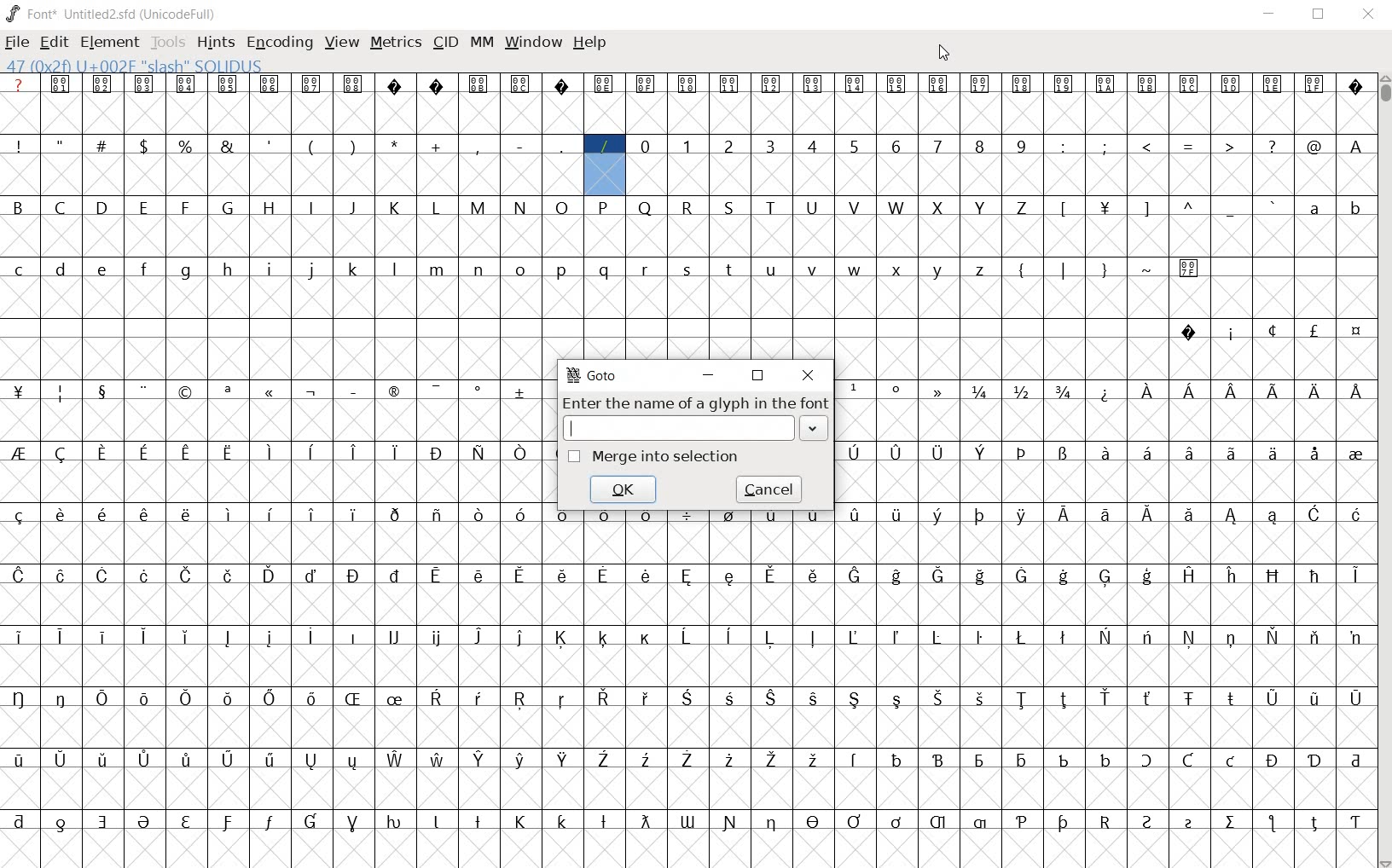 The image size is (1392, 868). Describe the element at coordinates (813, 514) in the screenshot. I see `glyph` at that location.